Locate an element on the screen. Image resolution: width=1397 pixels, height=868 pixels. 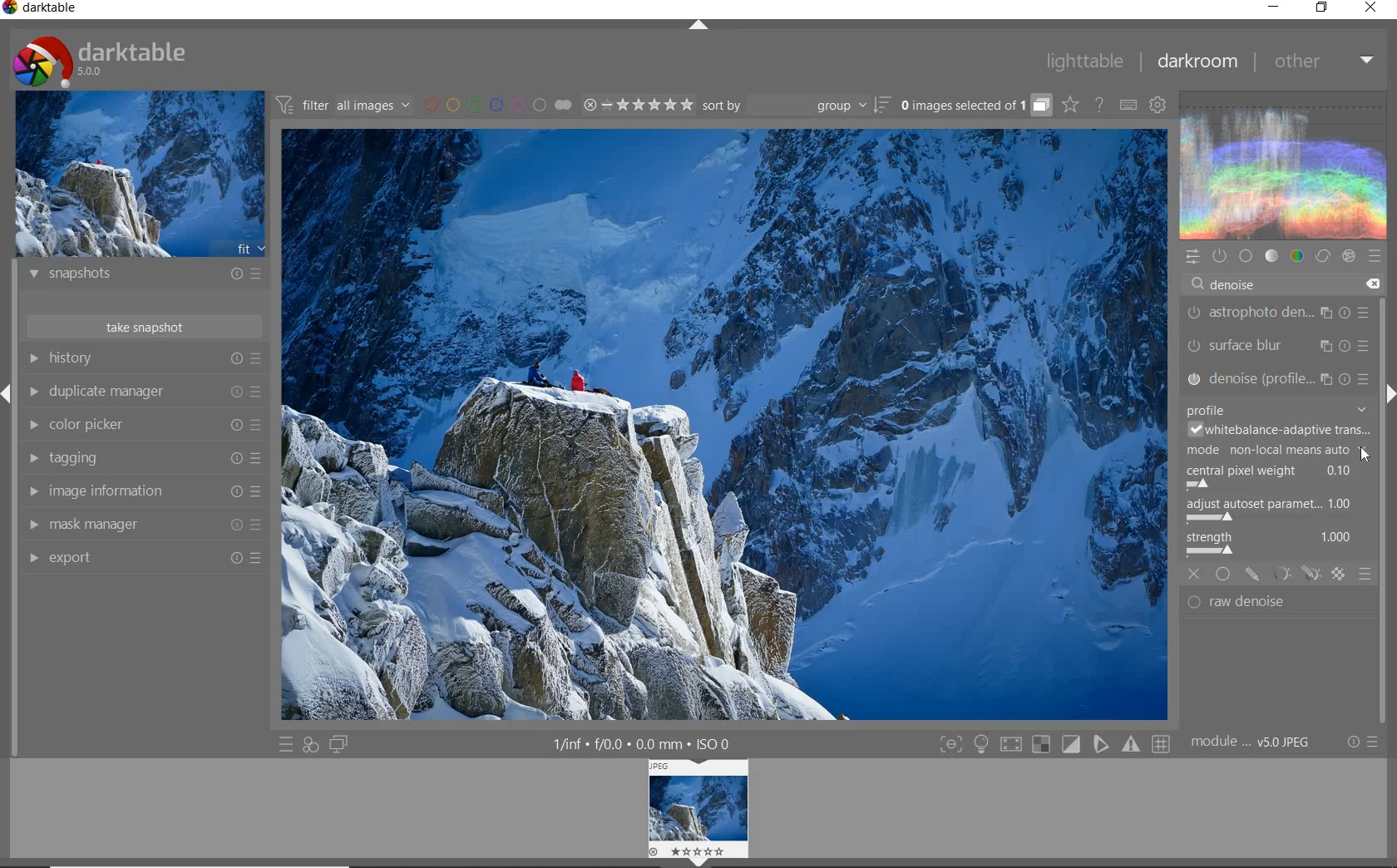
restore is located at coordinates (1324, 9).